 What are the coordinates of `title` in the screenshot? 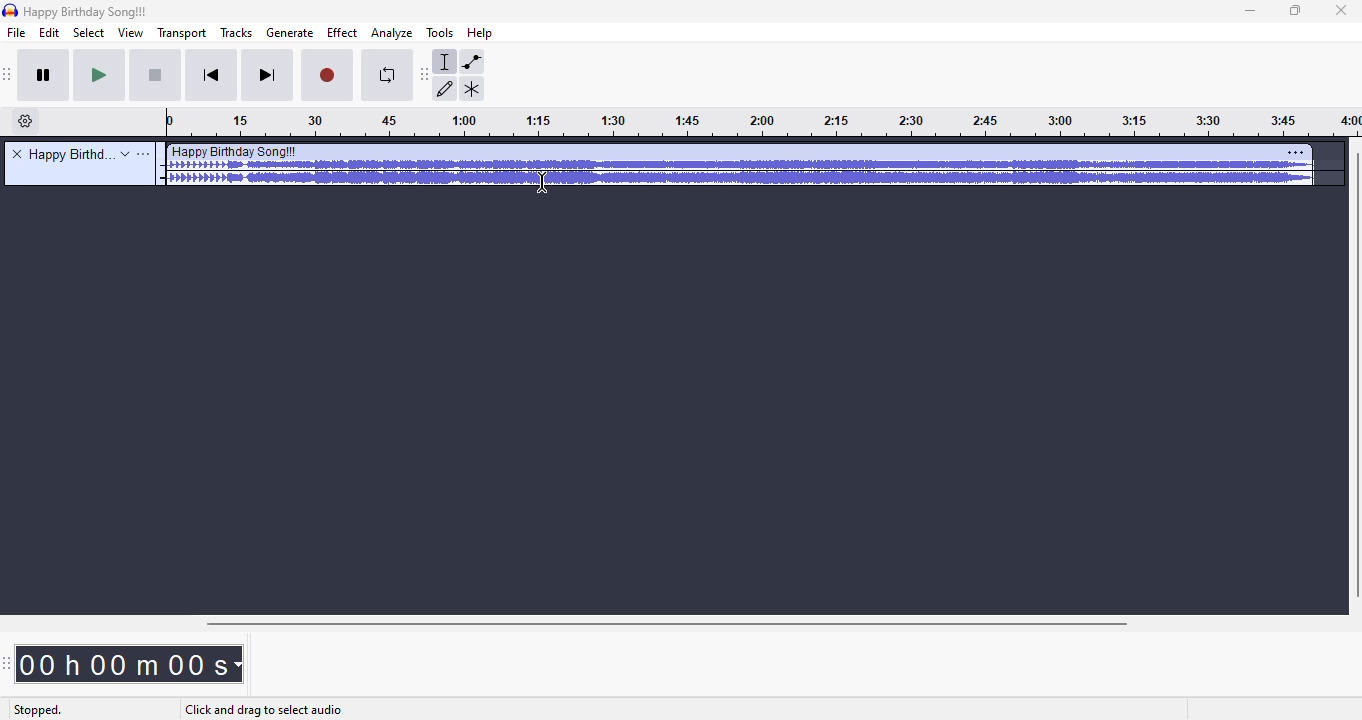 It's located at (85, 12).